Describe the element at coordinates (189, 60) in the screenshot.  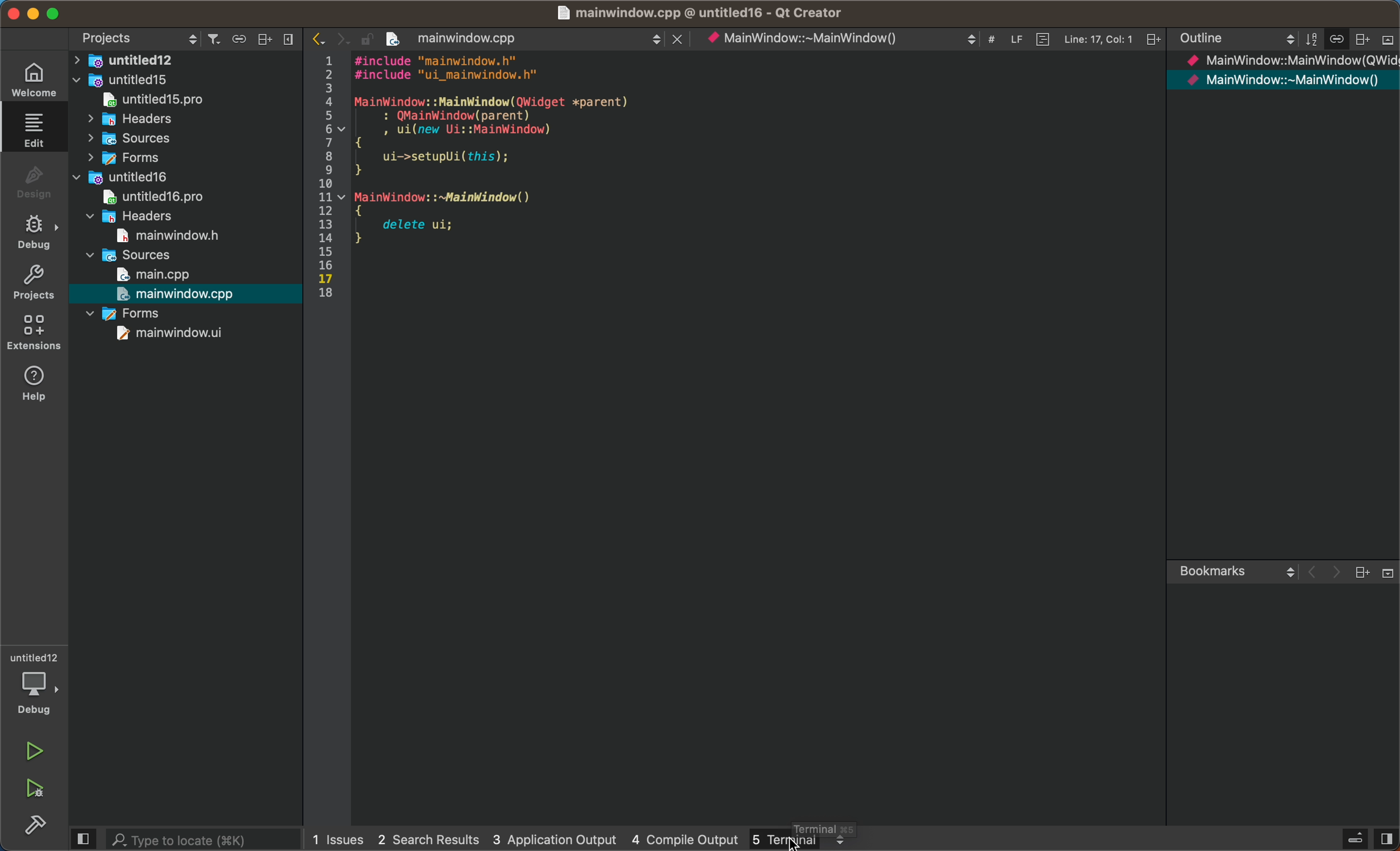
I see `files and folders` at that location.